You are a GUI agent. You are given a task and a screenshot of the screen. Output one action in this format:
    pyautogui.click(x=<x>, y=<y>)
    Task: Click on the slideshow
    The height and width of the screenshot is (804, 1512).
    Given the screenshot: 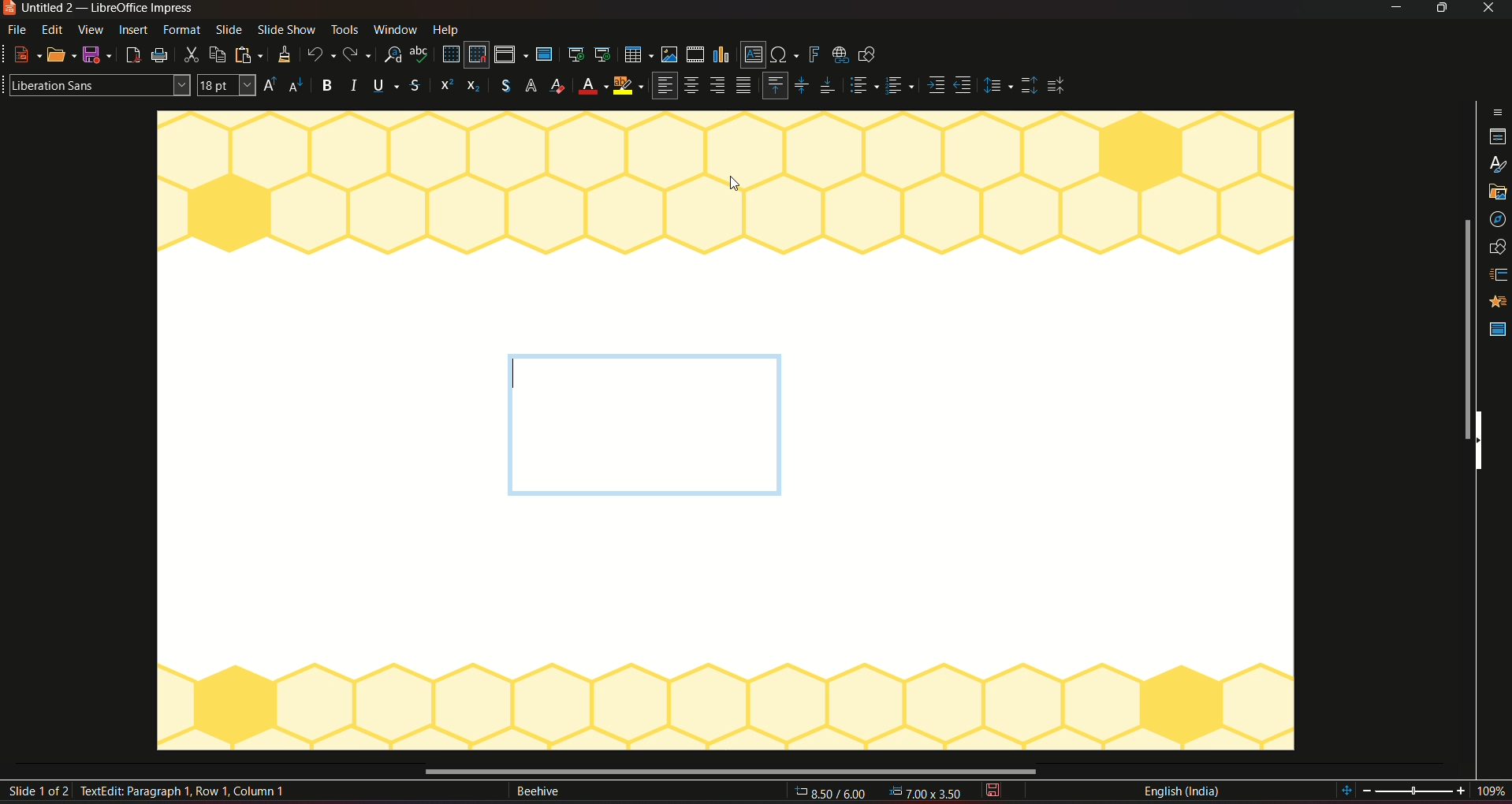 What is the action you would take?
    pyautogui.click(x=286, y=31)
    